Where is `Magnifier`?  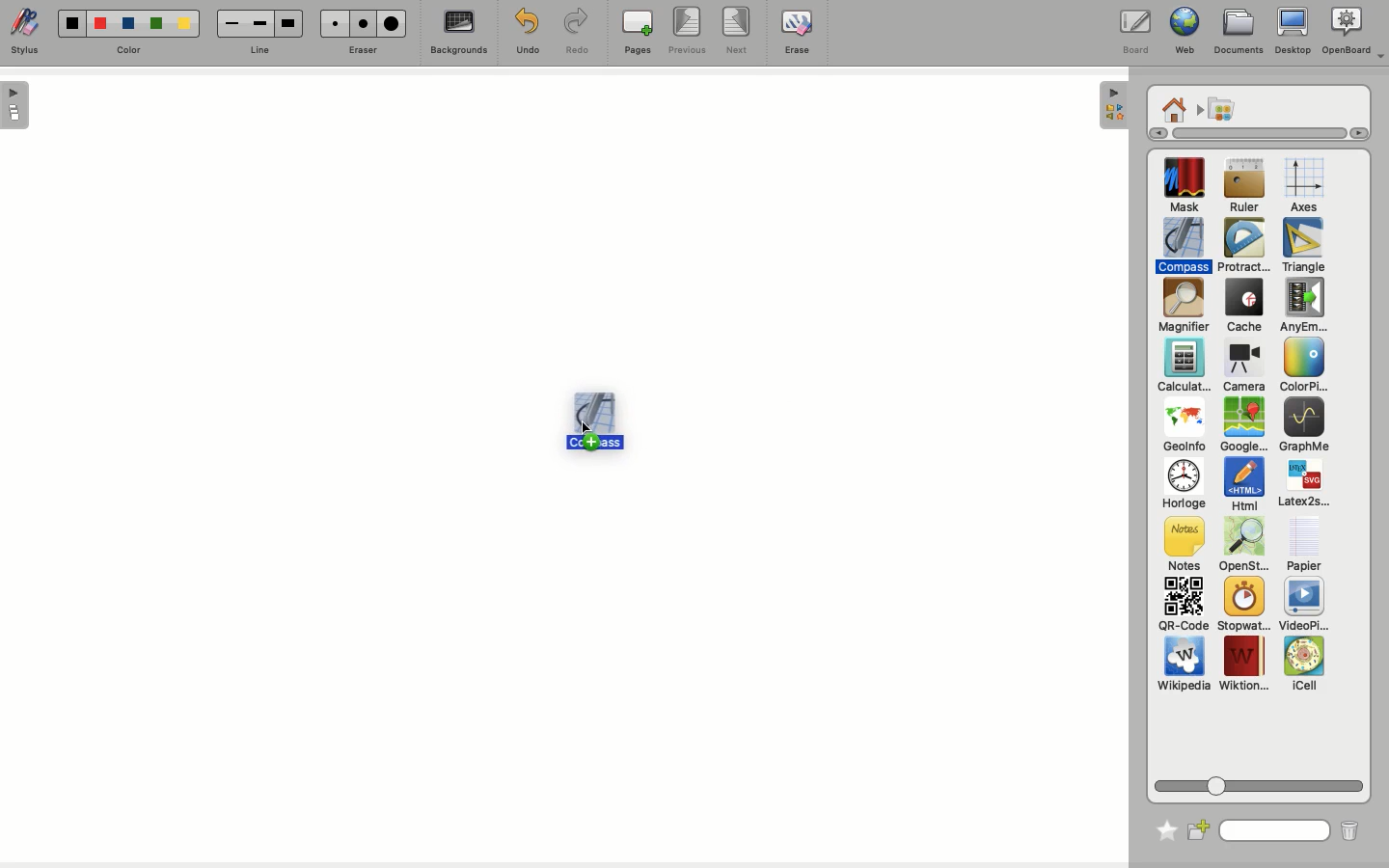 Magnifier is located at coordinates (1183, 306).